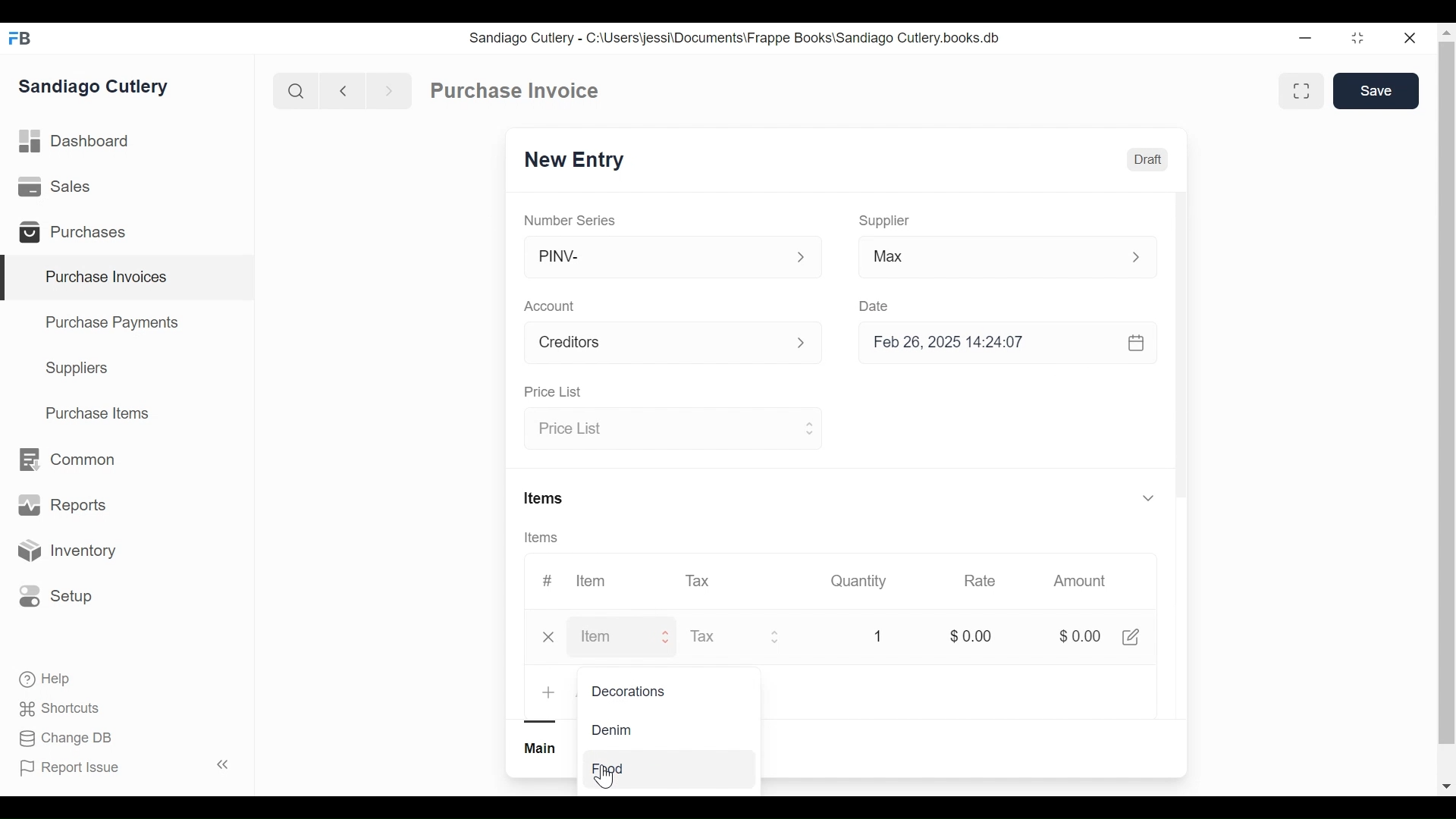  I want to click on Edit, so click(1133, 639).